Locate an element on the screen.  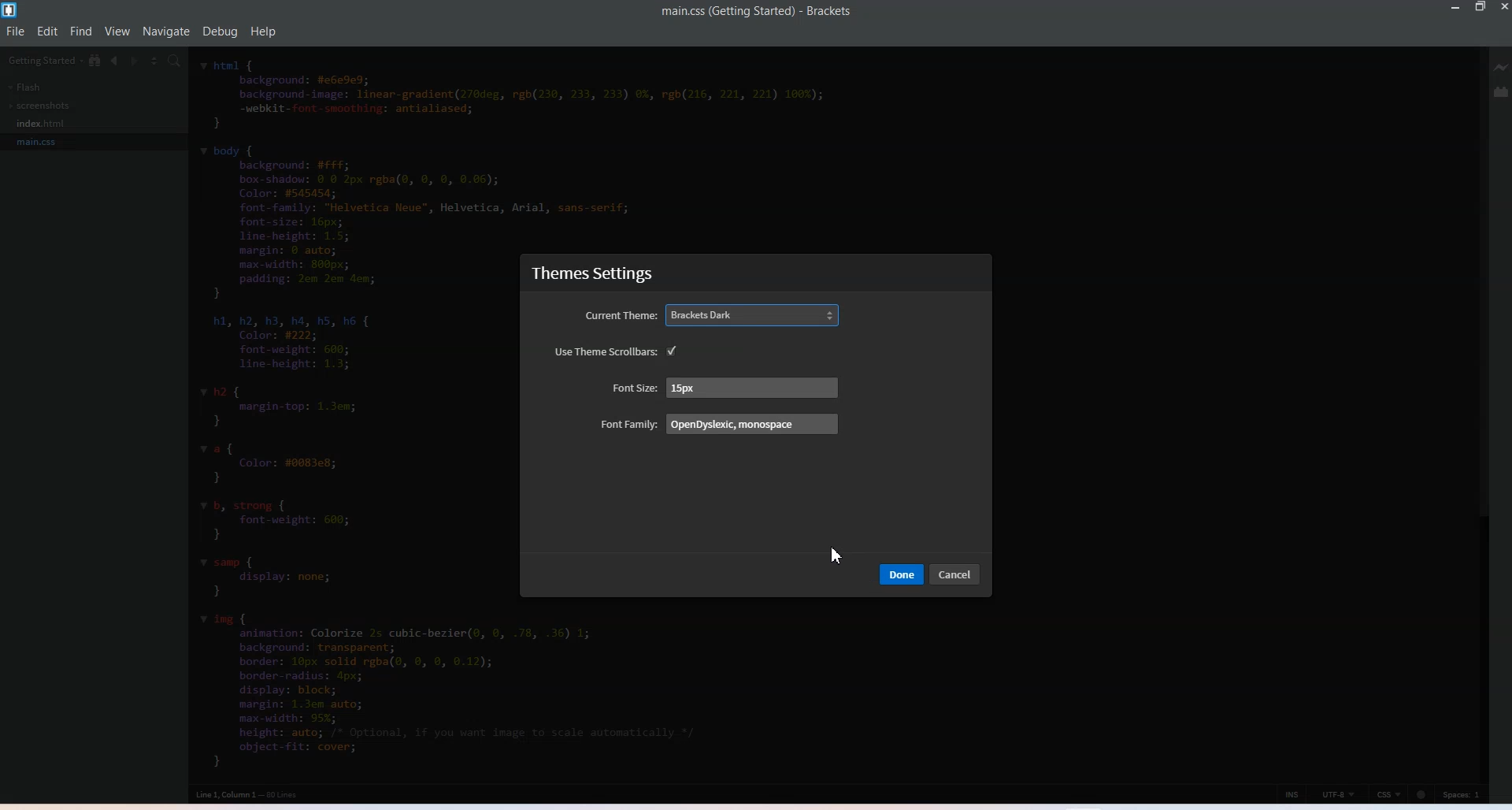
View is located at coordinates (117, 31).